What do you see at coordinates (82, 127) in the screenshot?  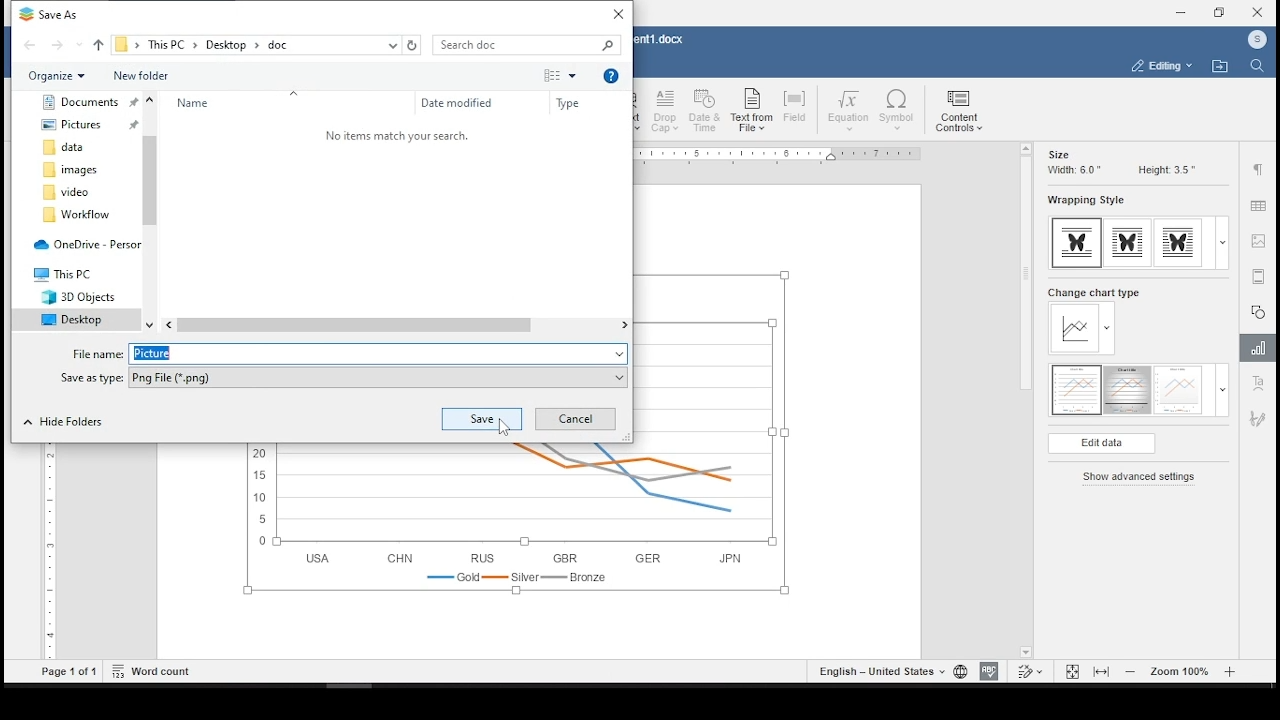 I see `pictures` at bounding box center [82, 127].